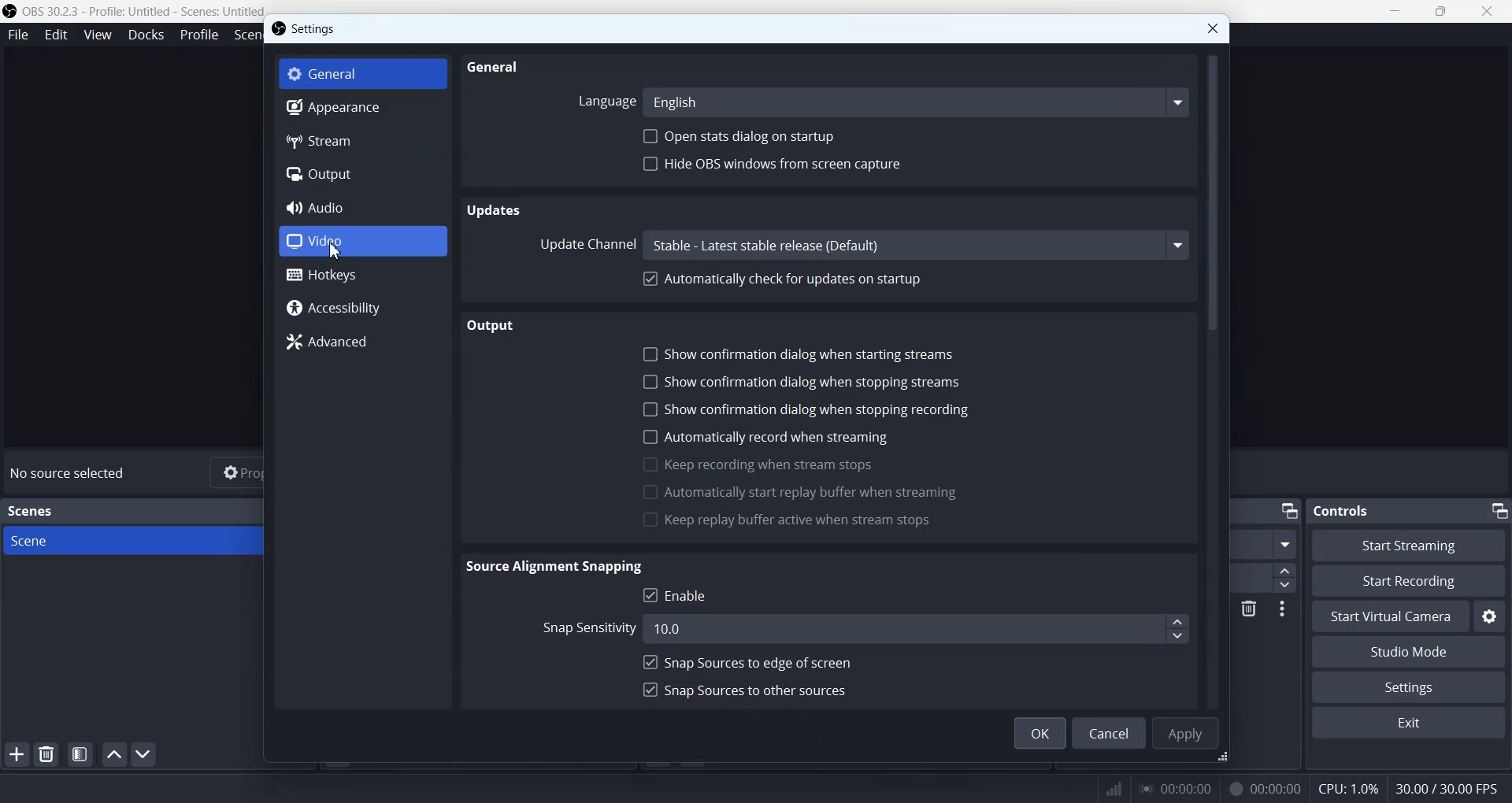 The image size is (1512, 803). Describe the element at coordinates (1349, 510) in the screenshot. I see `Controls` at that location.